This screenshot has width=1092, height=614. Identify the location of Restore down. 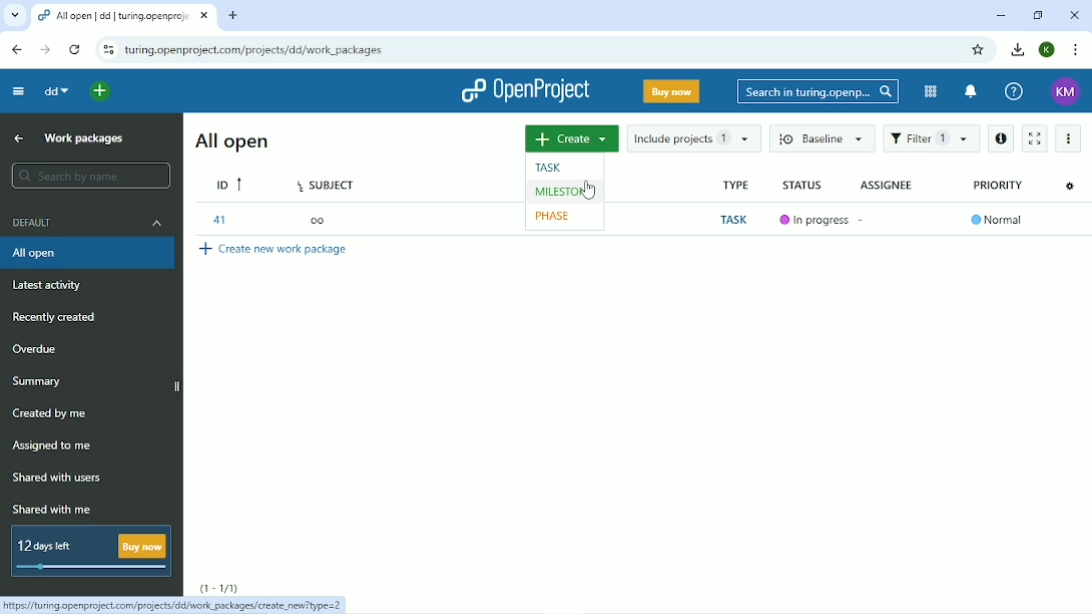
(1039, 16).